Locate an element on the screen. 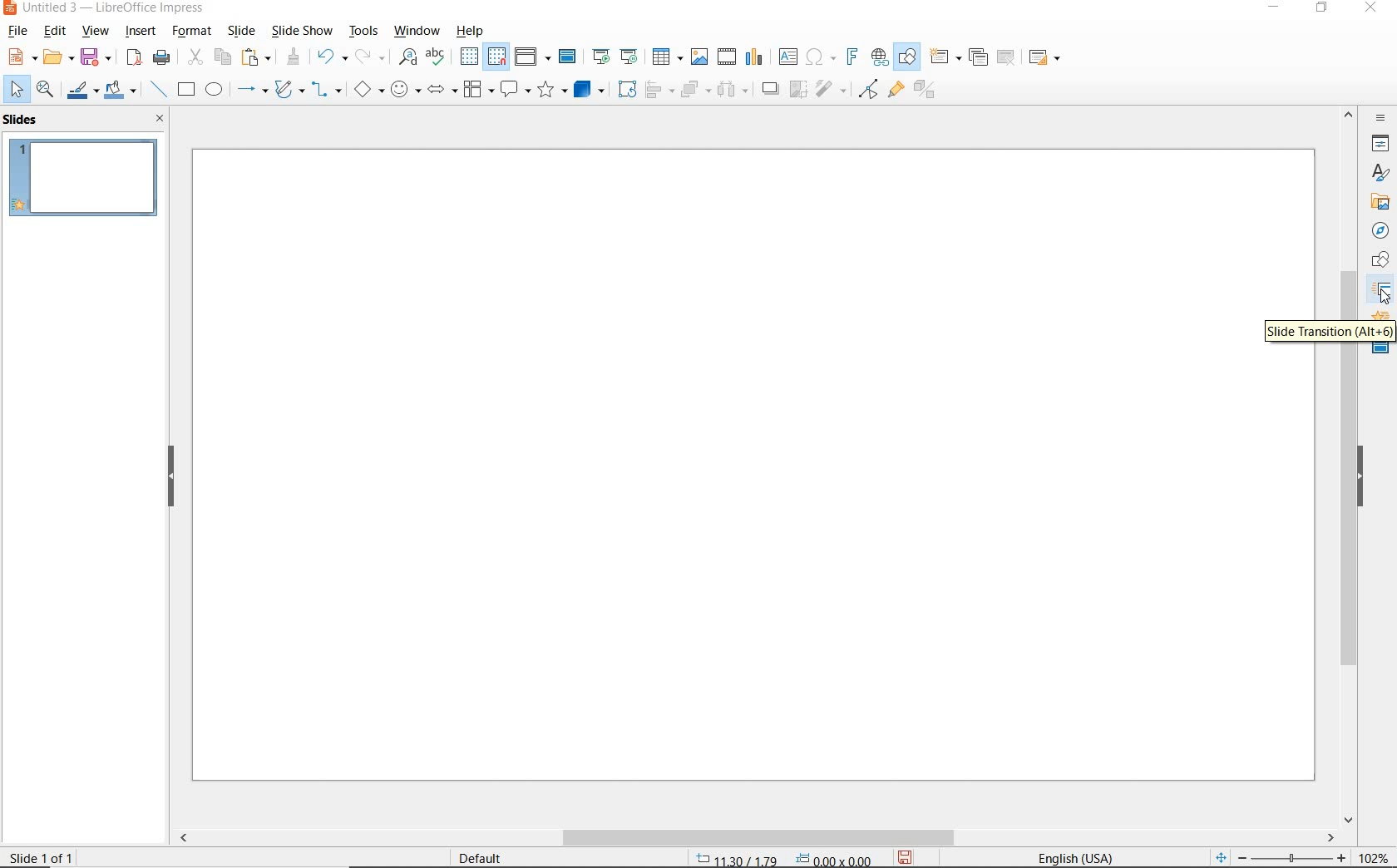 The height and width of the screenshot is (868, 1397). TOGGLE EXTRUSION is located at coordinates (928, 91).